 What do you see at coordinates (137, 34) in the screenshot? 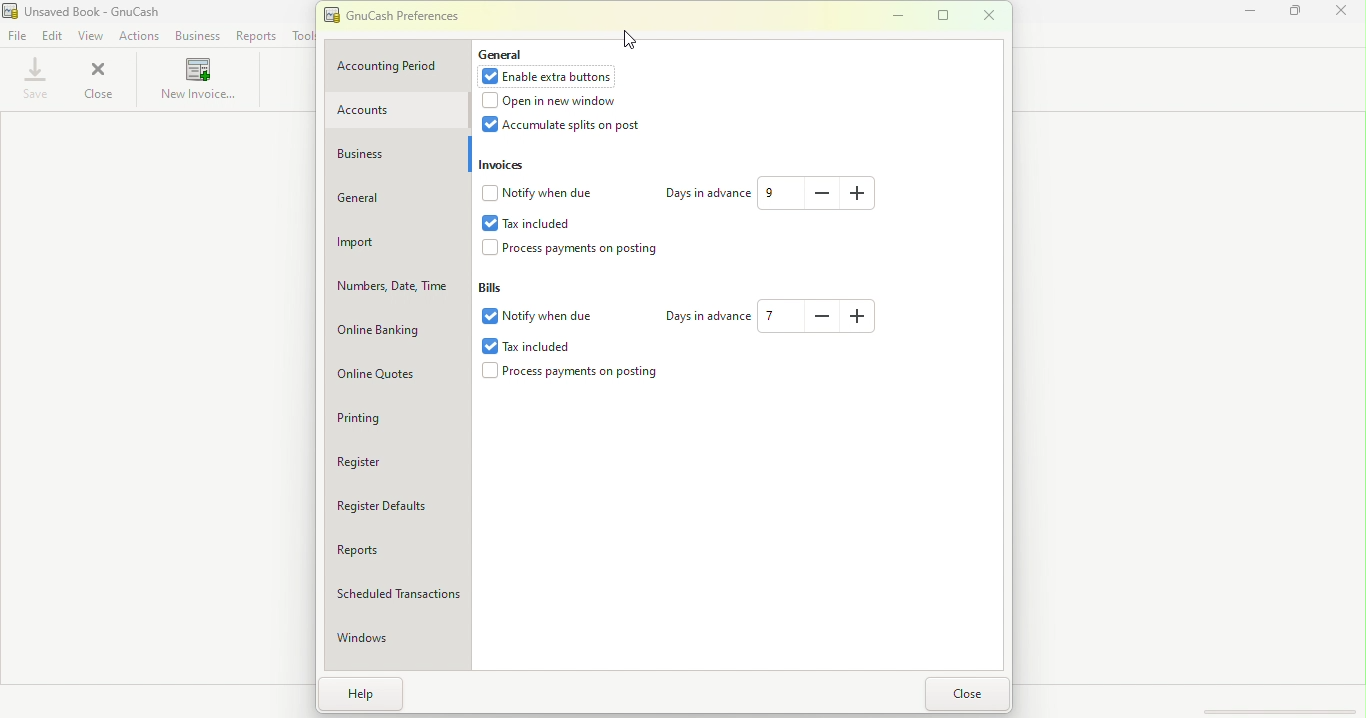
I see `Actions` at bounding box center [137, 34].